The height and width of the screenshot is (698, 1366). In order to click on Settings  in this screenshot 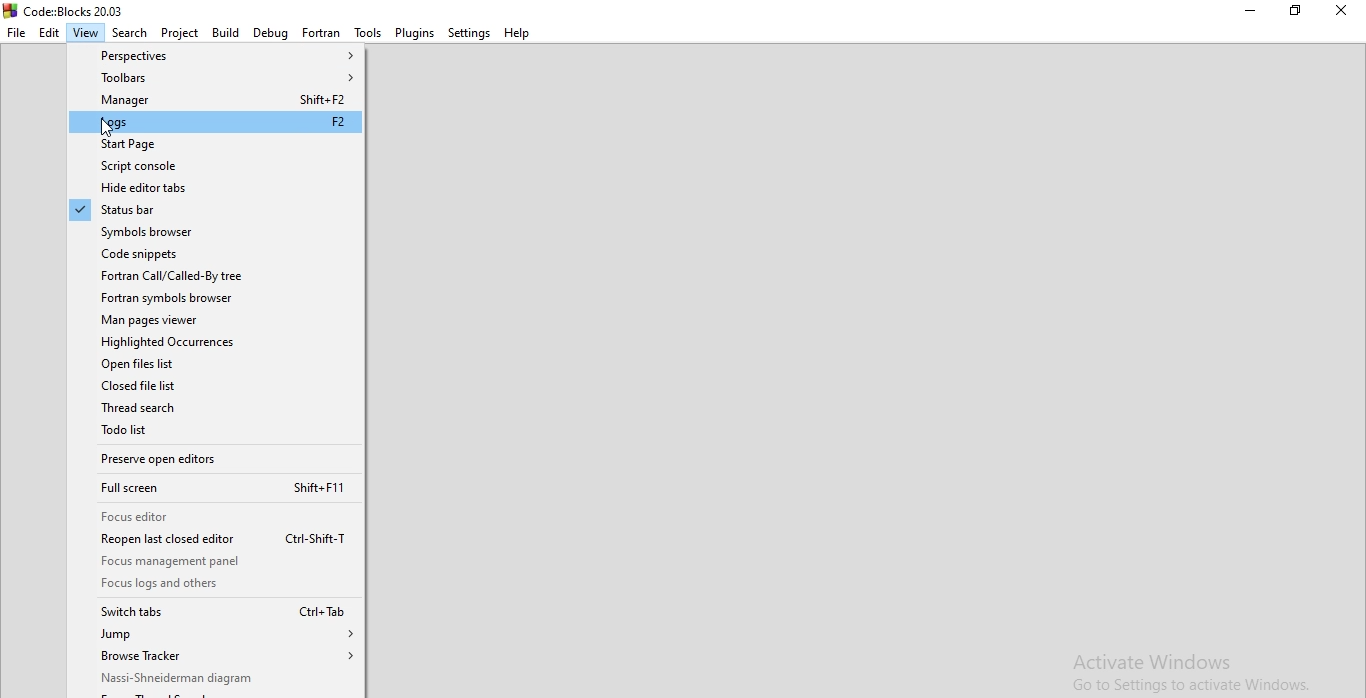, I will do `click(469, 32)`.